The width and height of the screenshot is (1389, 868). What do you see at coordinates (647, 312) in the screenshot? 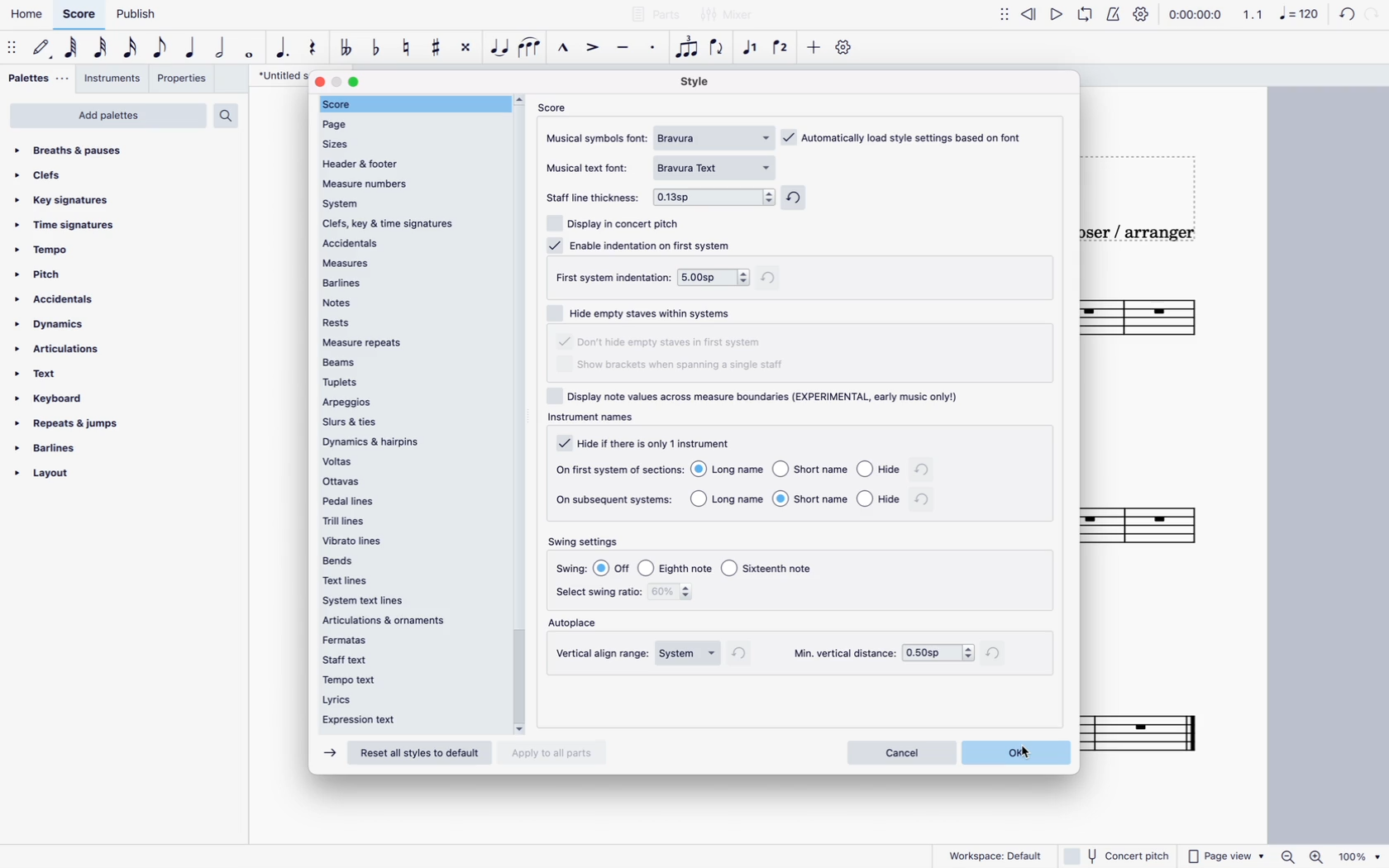
I see `hide empty staves within systems` at bounding box center [647, 312].